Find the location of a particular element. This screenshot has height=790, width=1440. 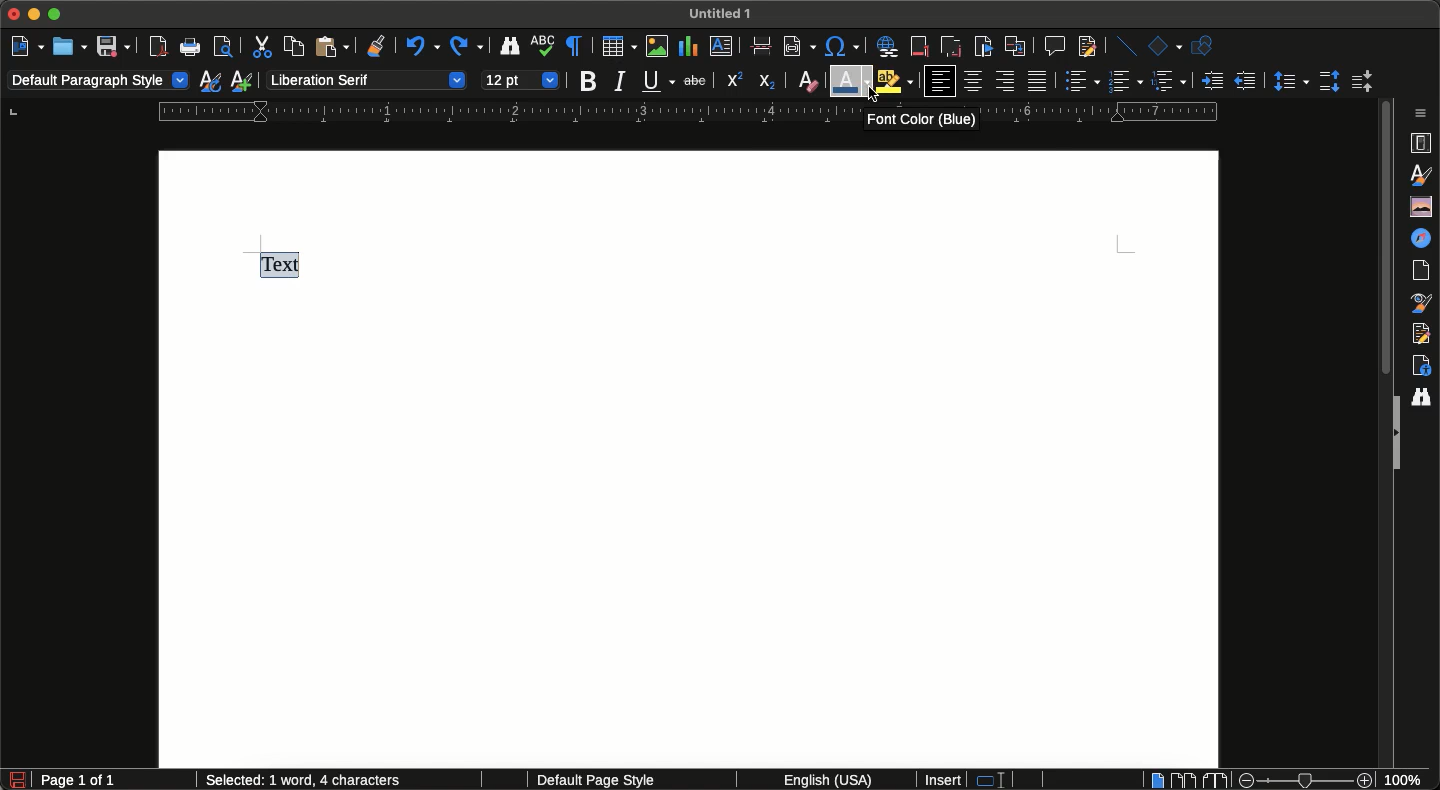

Show draw functions is located at coordinates (1204, 46).